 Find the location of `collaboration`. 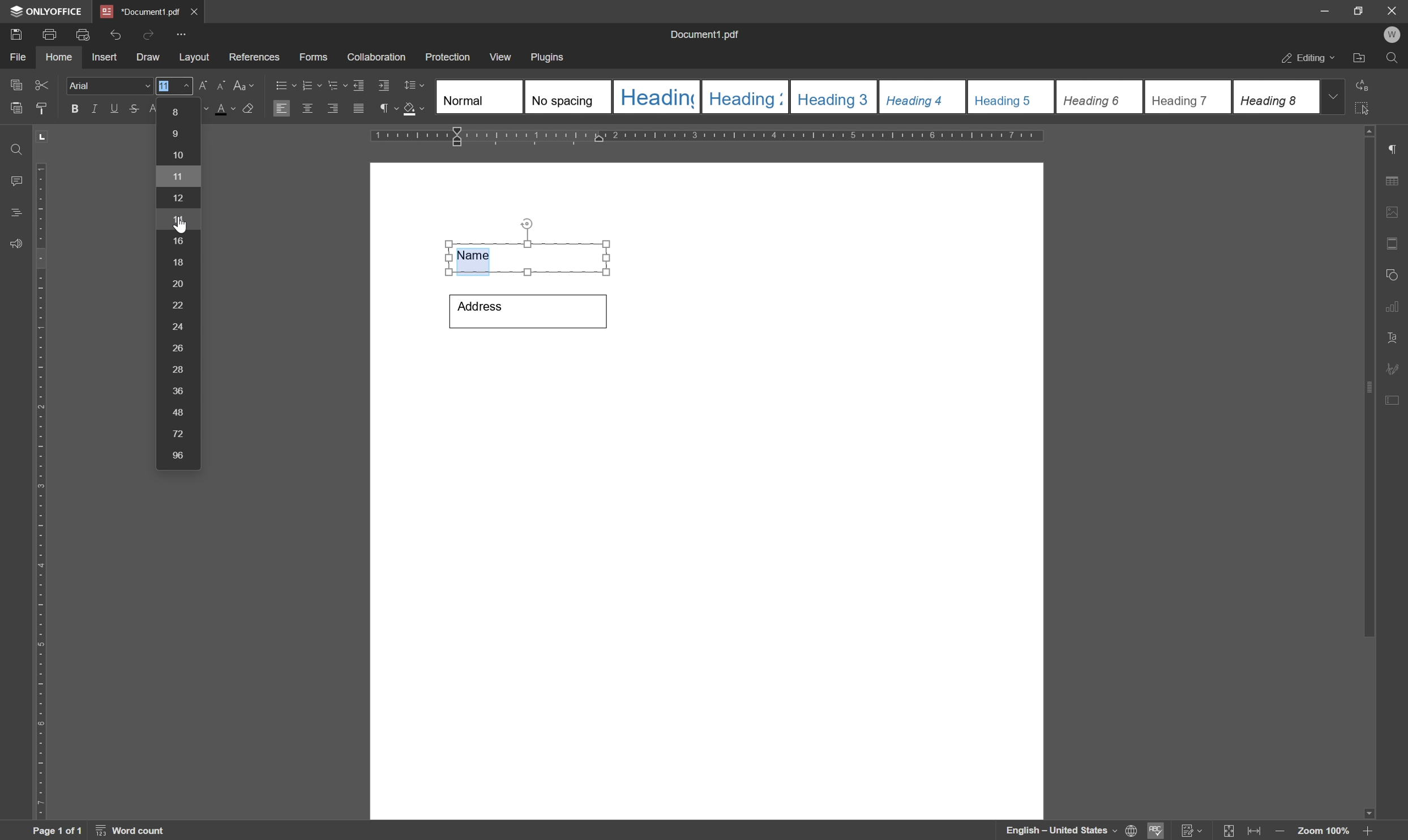

collaboration is located at coordinates (378, 58).